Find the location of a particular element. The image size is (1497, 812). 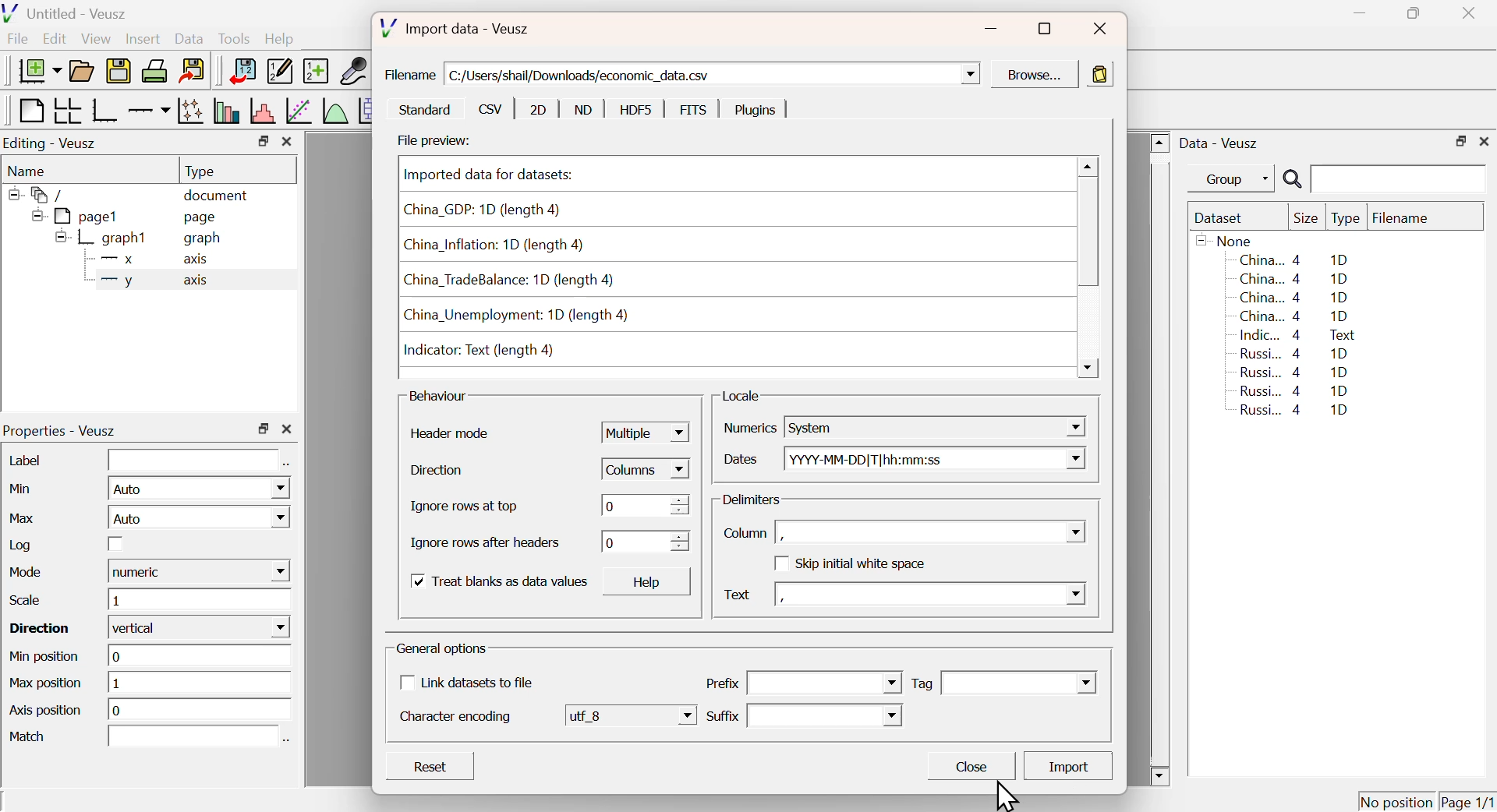

y axis is located at coordinates (147, 280).